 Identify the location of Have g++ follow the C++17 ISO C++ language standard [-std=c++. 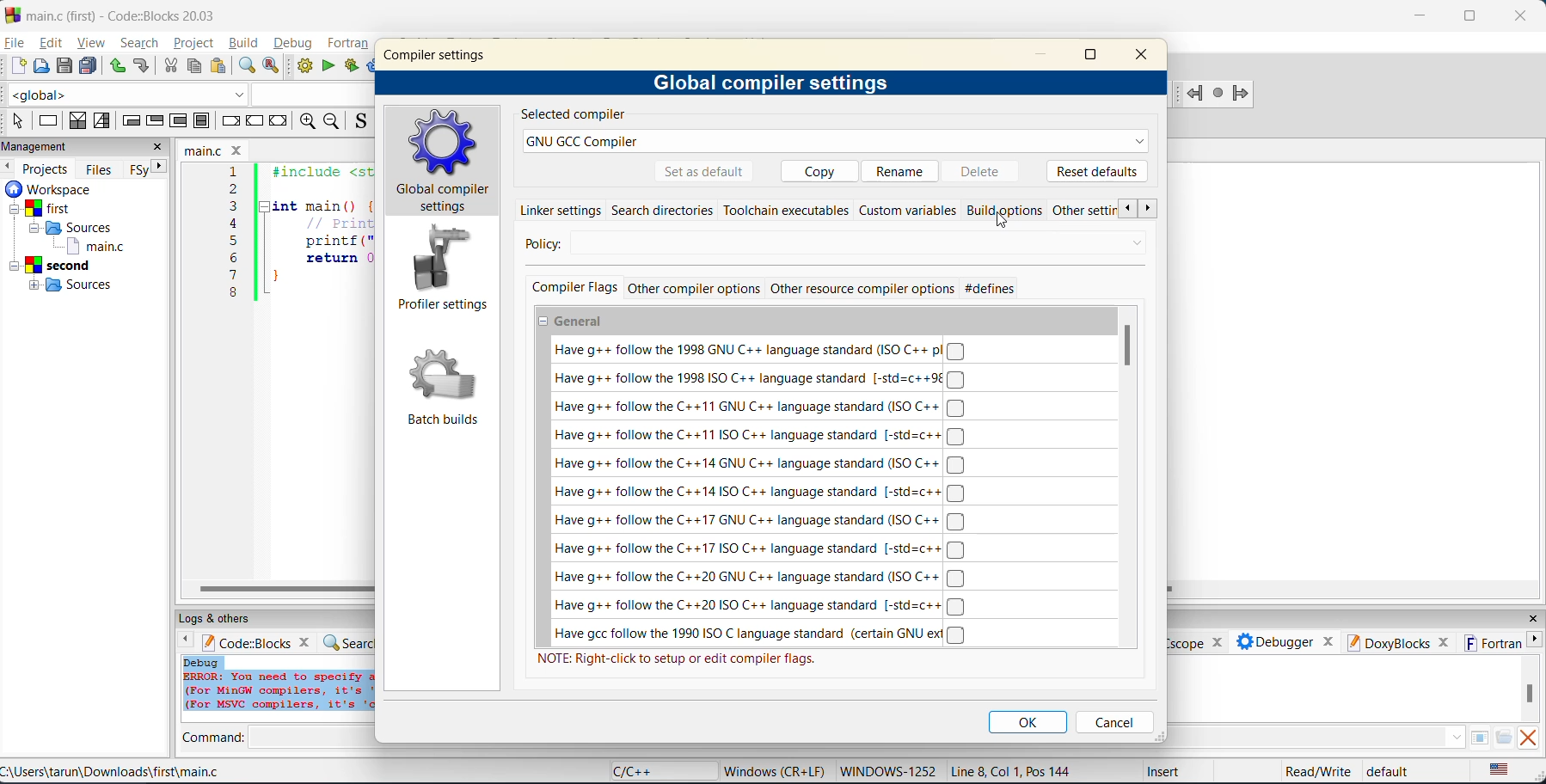
(760, 549).